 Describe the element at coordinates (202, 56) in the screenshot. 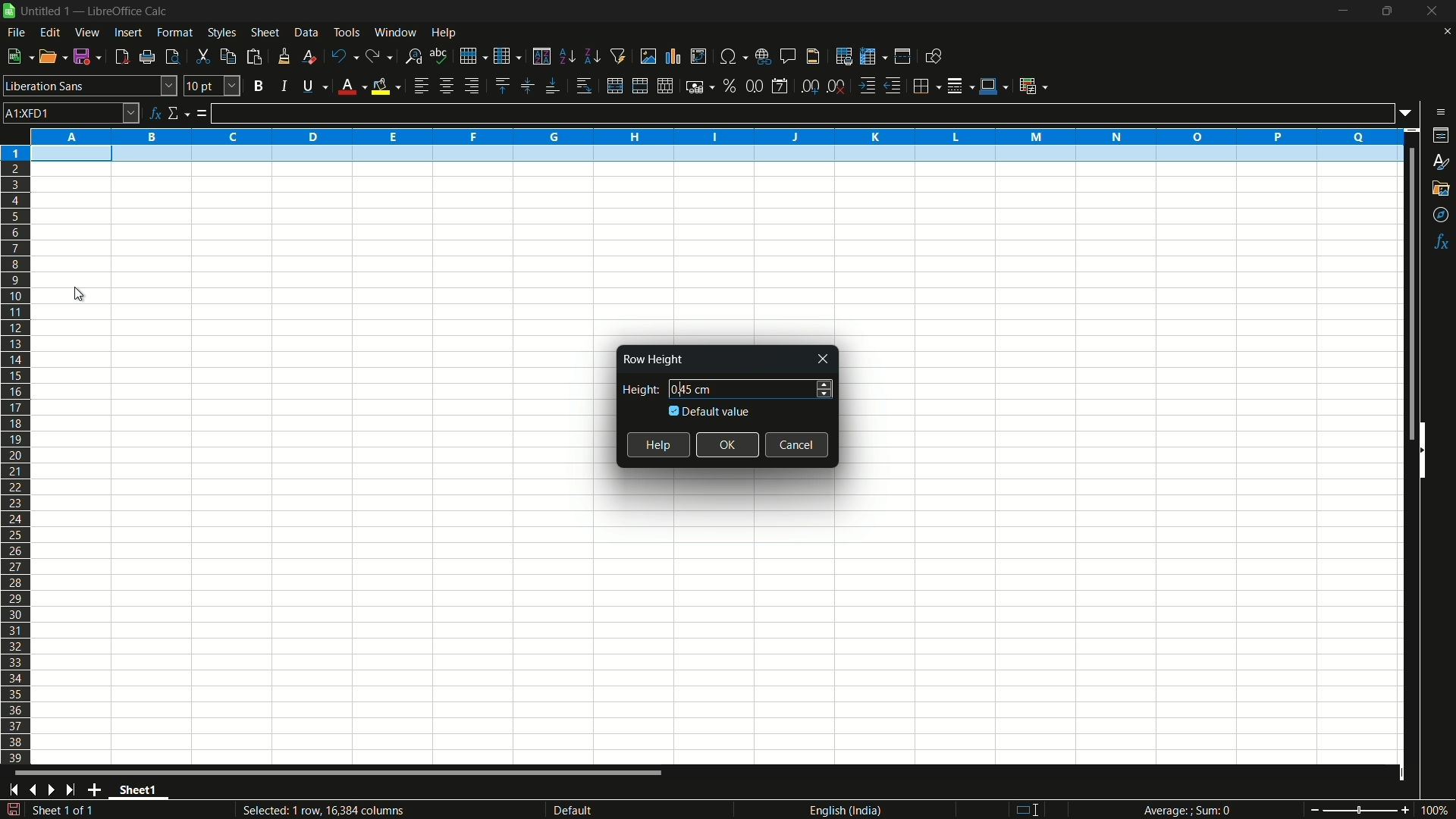

I see `cut` at that location.